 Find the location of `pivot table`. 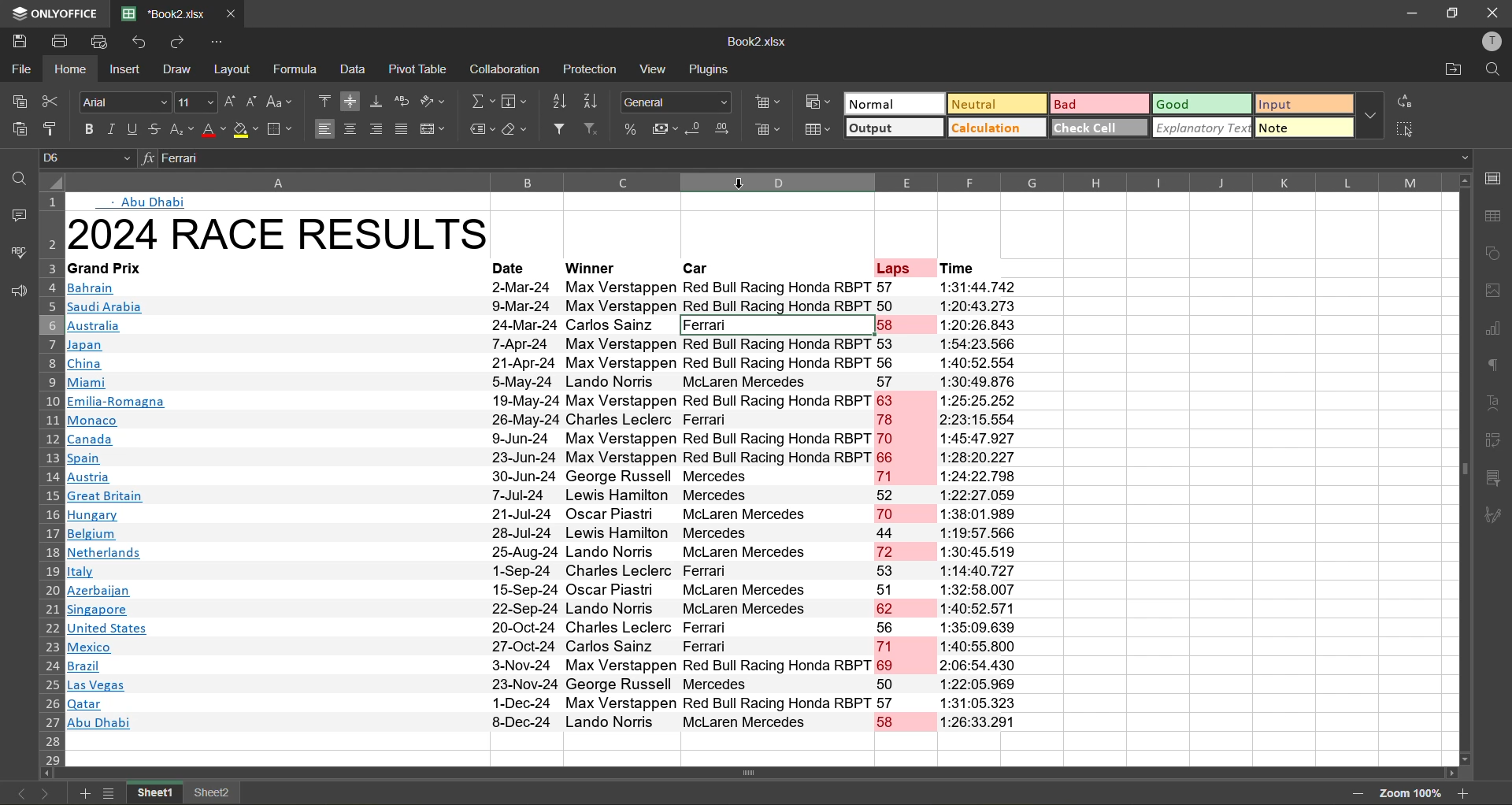

pivot table is located at coordinates (419, 69).